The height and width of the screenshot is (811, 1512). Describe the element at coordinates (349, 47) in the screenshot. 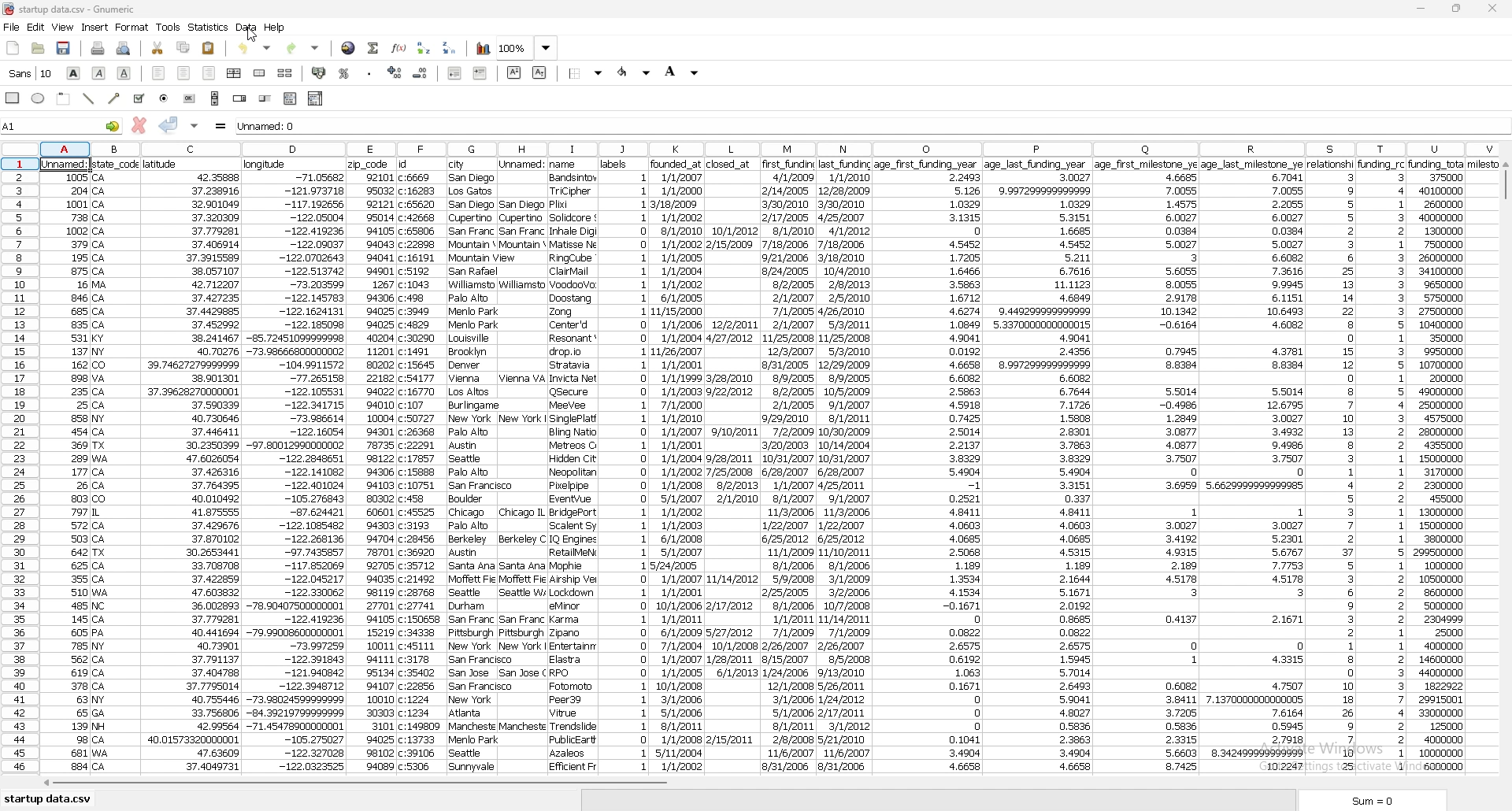

I see `hyperlink` at that location.